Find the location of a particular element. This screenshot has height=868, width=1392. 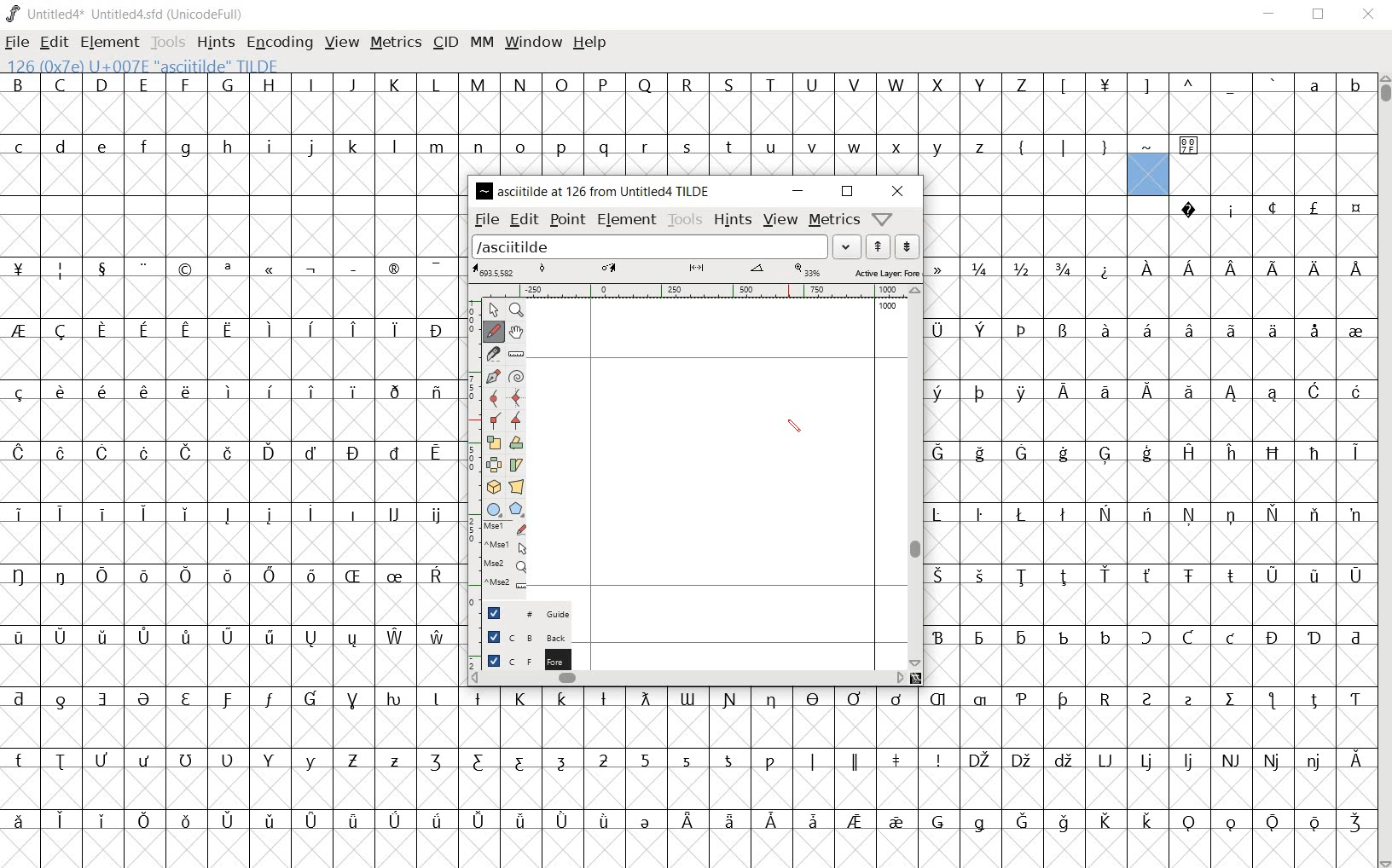

pencil tool is located at coordinates (793, 427).